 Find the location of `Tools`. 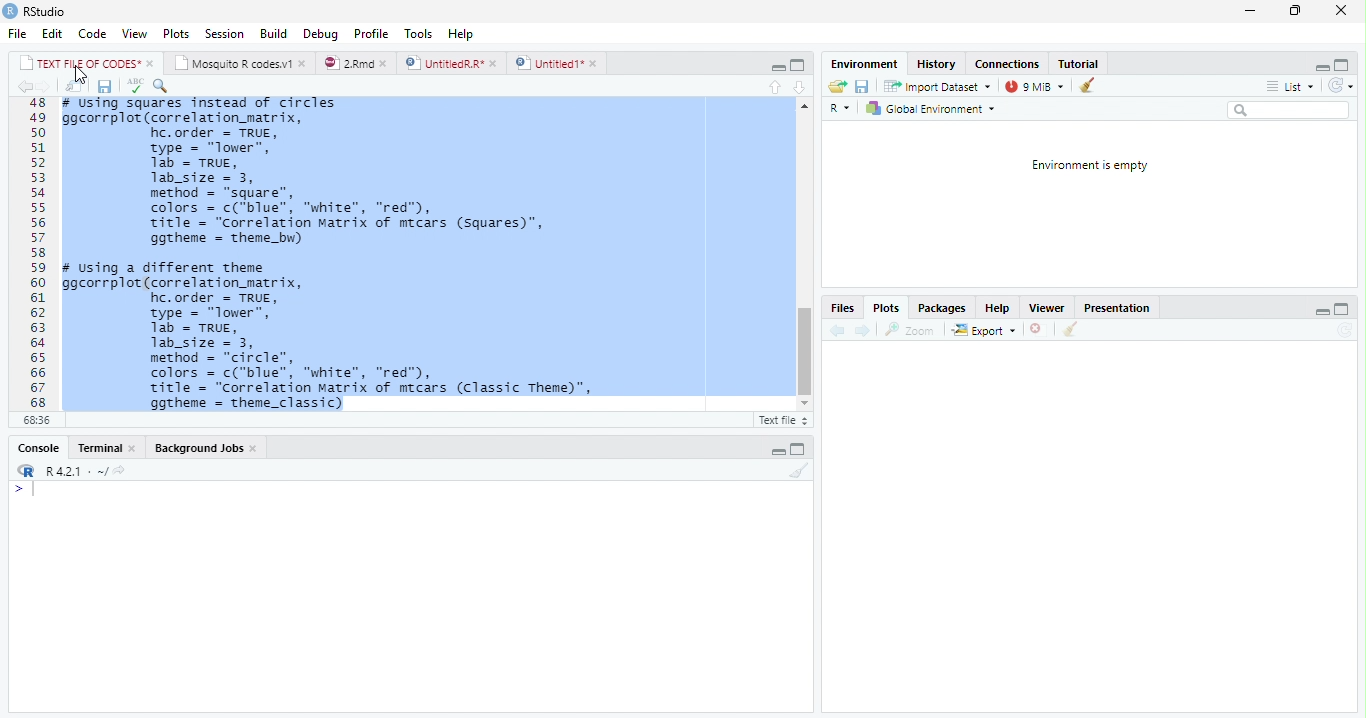

Tools is located at coordinates (417, 32).